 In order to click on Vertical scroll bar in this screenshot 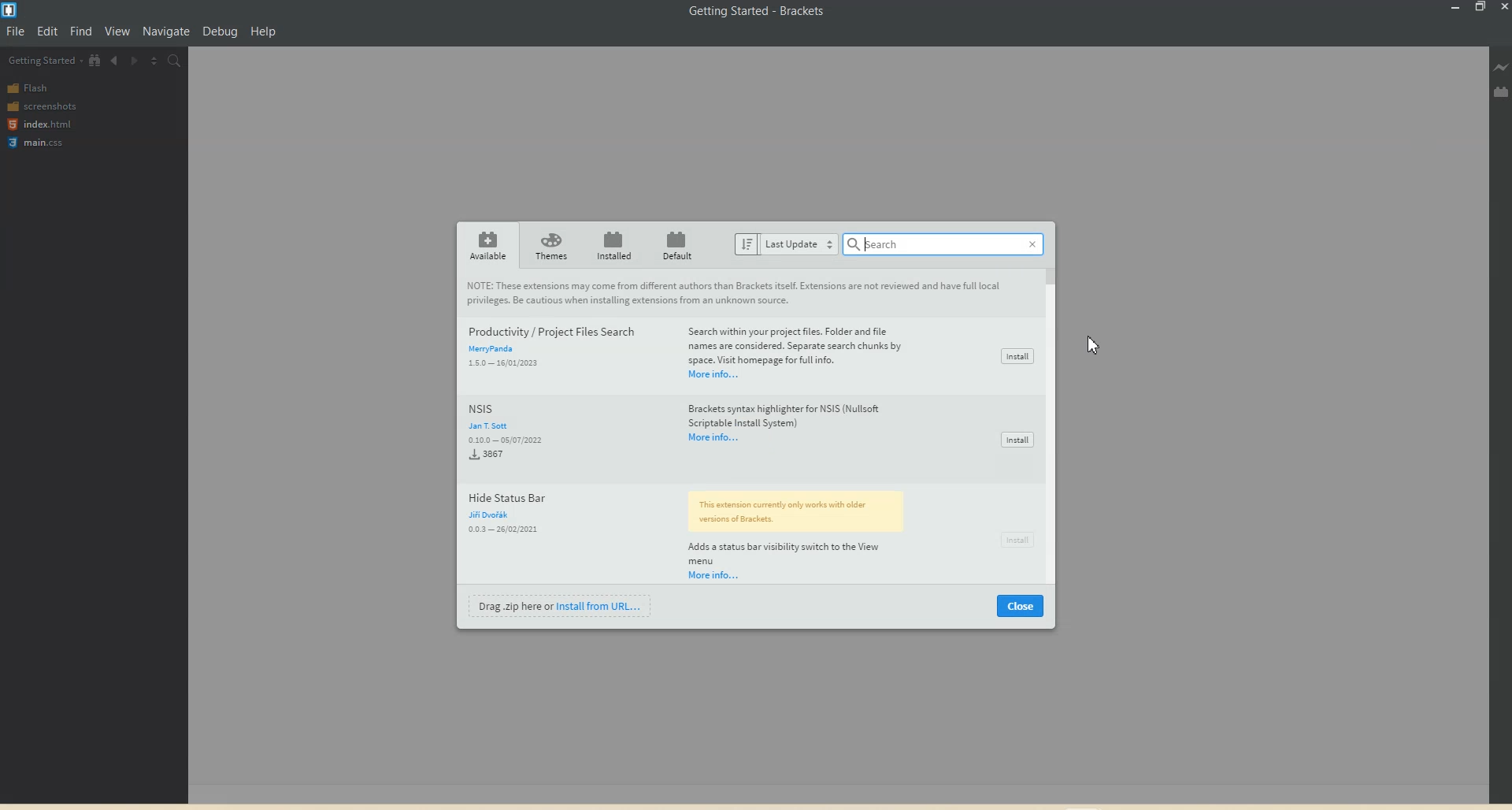, I will do `click(1054, 427)`.